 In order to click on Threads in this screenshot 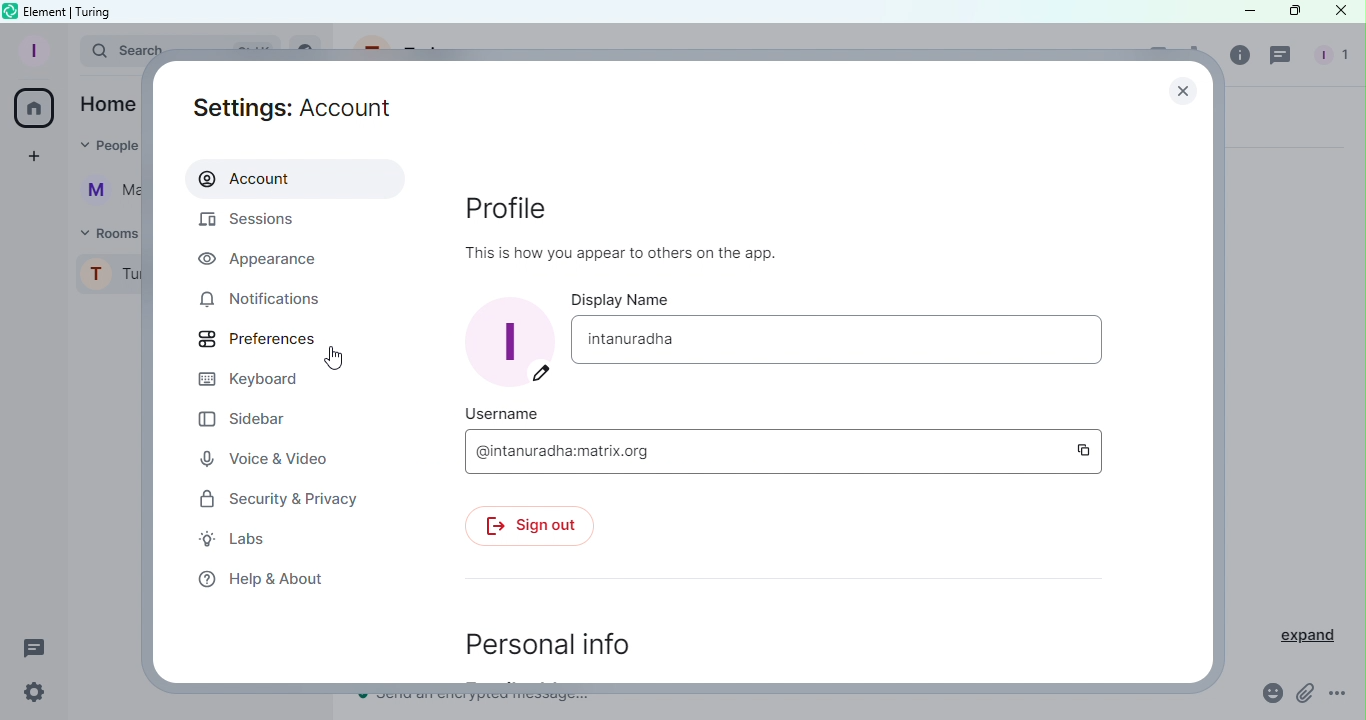, I will do `click(1283, 58)`.